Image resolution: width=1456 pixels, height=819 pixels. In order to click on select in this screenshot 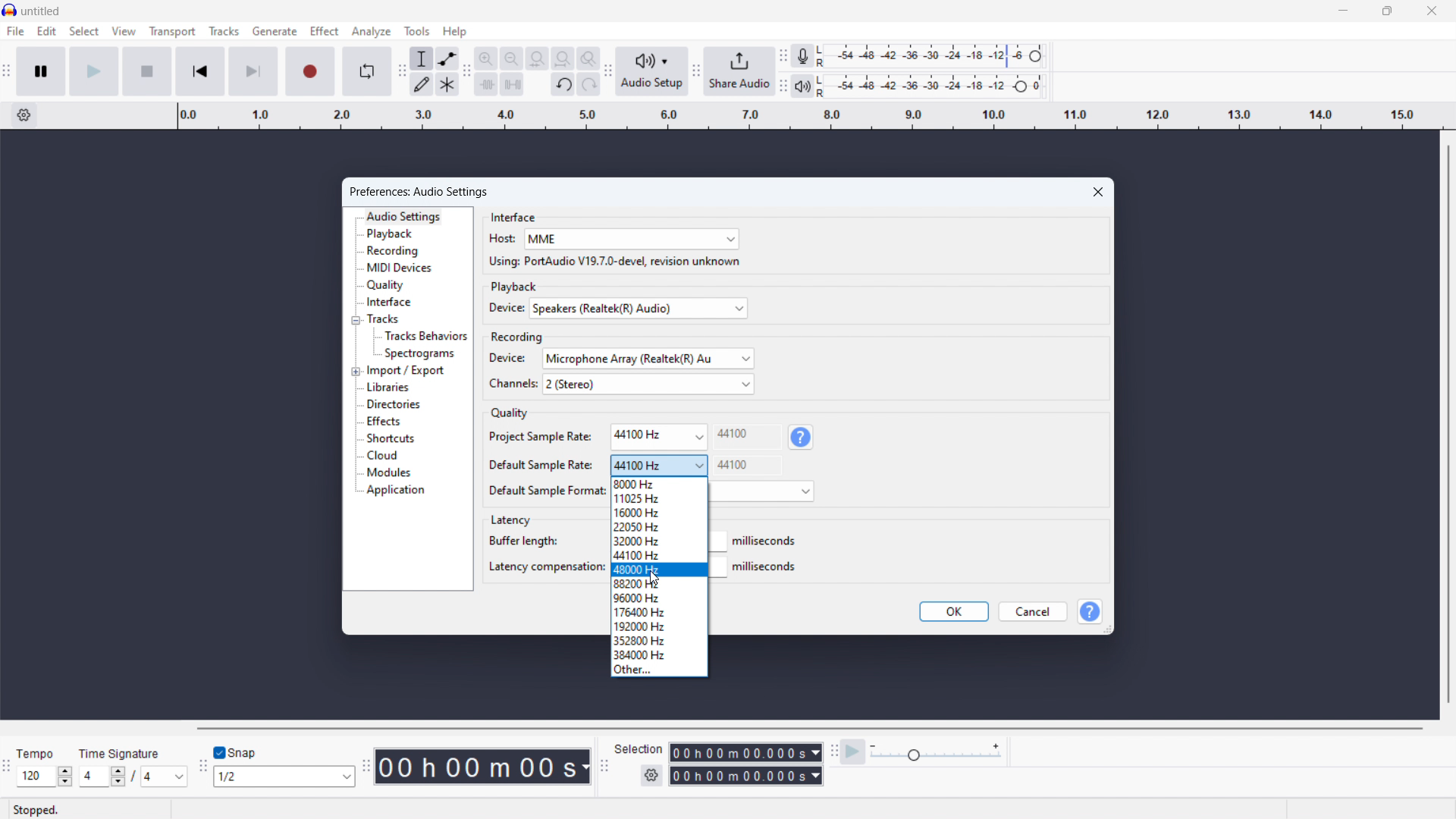, I will do `click(83, 31)`.